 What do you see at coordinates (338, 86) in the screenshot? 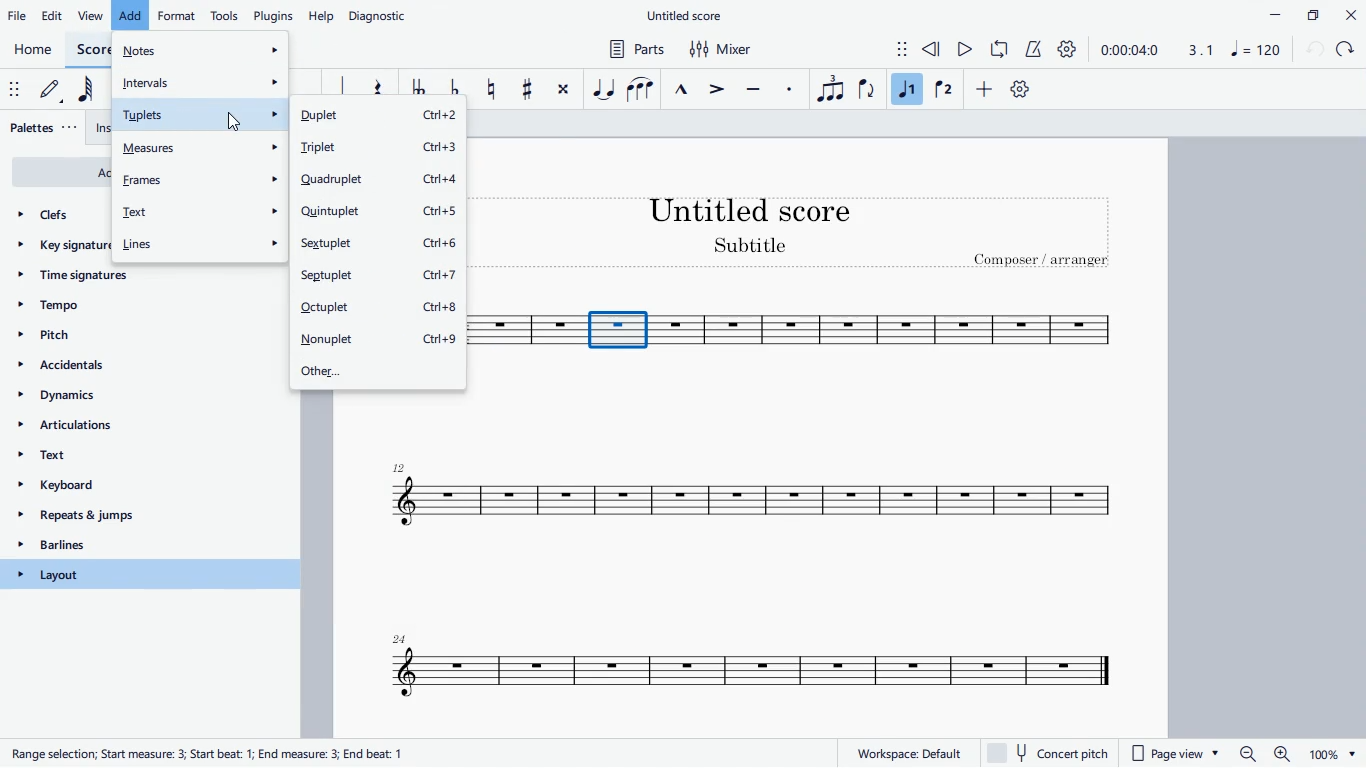
I see `augmentation dot` at bounding box center [338, 86].